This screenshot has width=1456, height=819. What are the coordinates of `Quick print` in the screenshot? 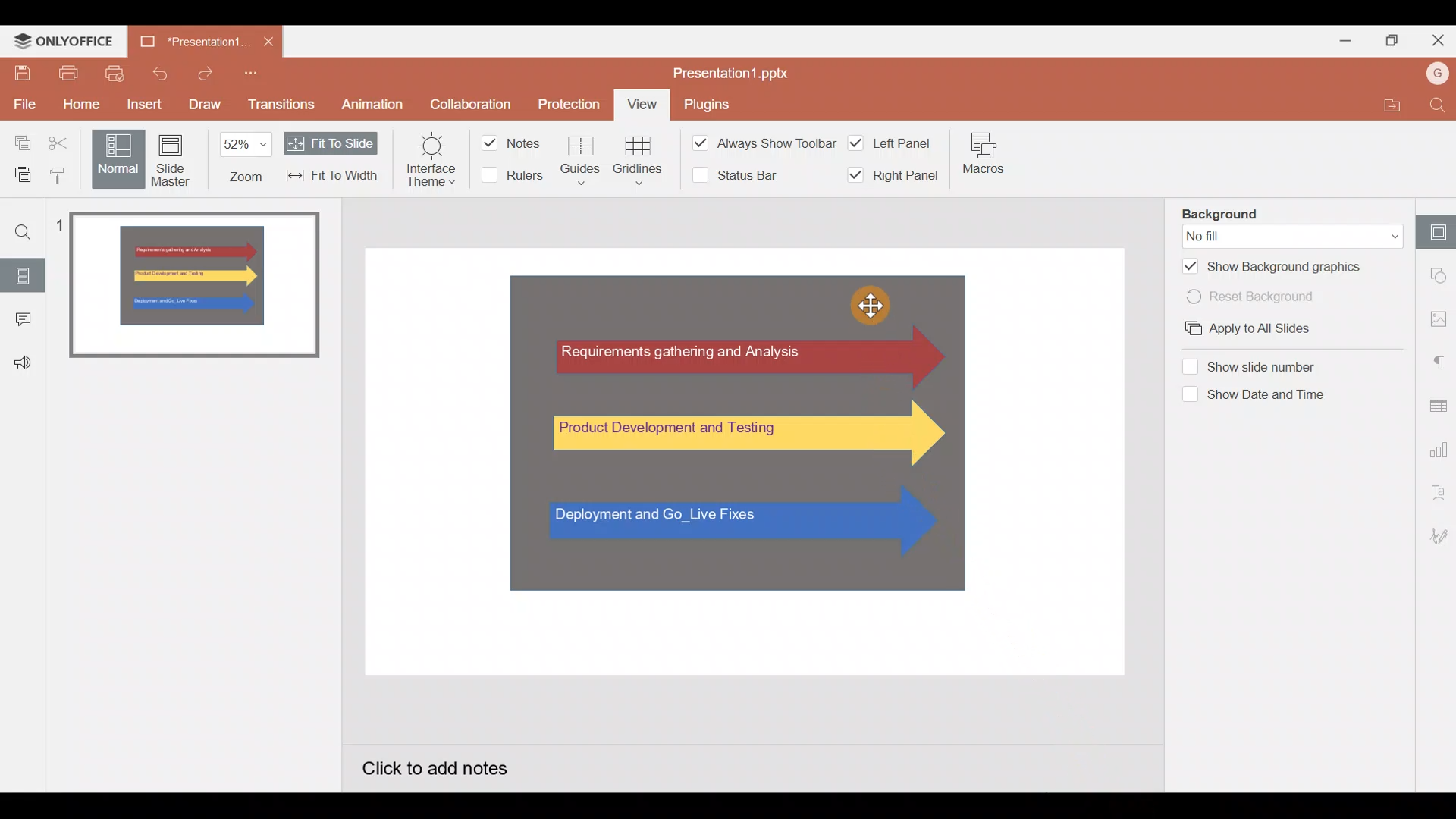 It's located at (115, 74).